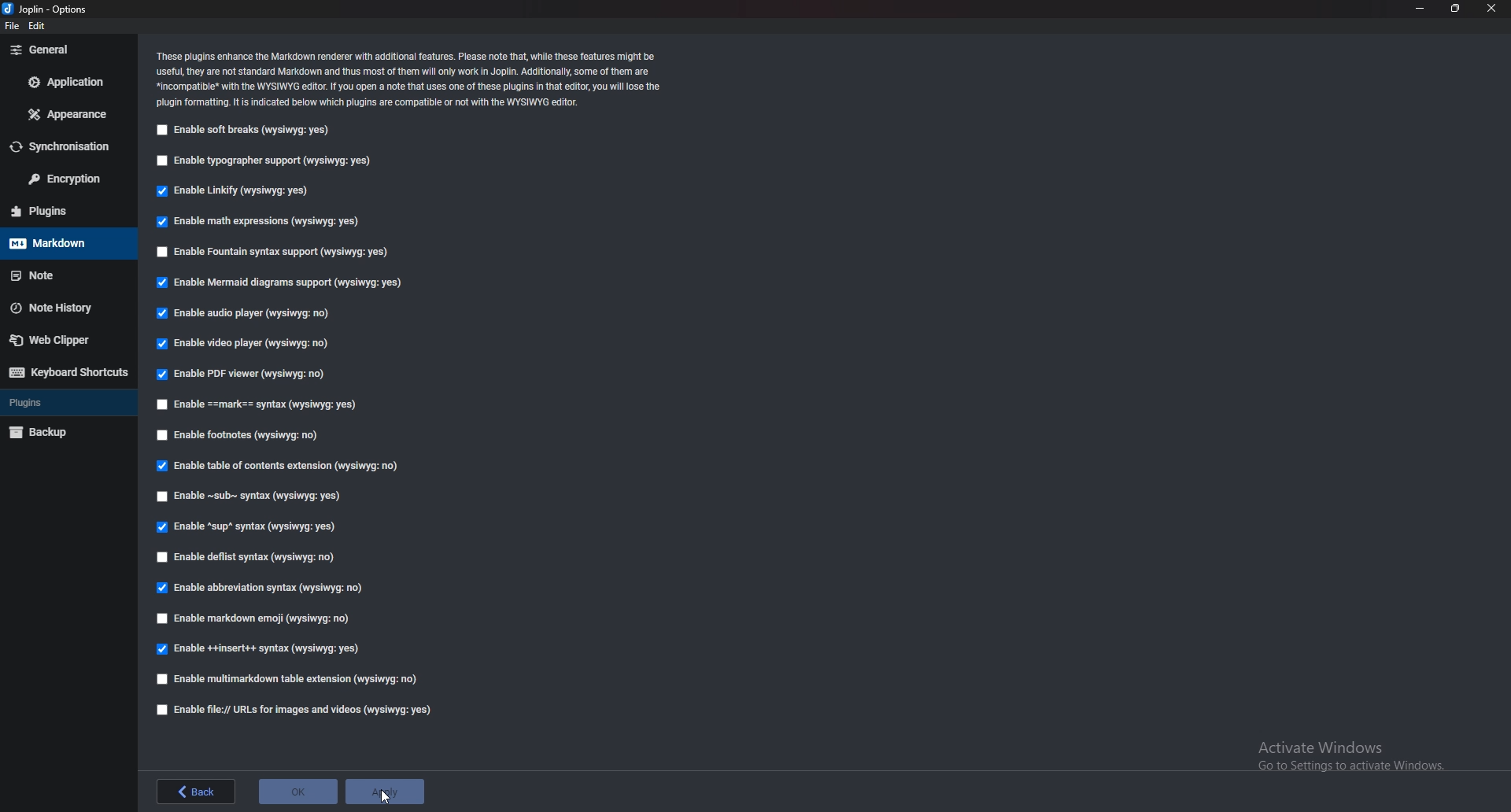 The image size is (1511, 812). What do you see at coordinates (63, 242) in the screenshot?
I see `Markdown` at bounding box center [63, 242].